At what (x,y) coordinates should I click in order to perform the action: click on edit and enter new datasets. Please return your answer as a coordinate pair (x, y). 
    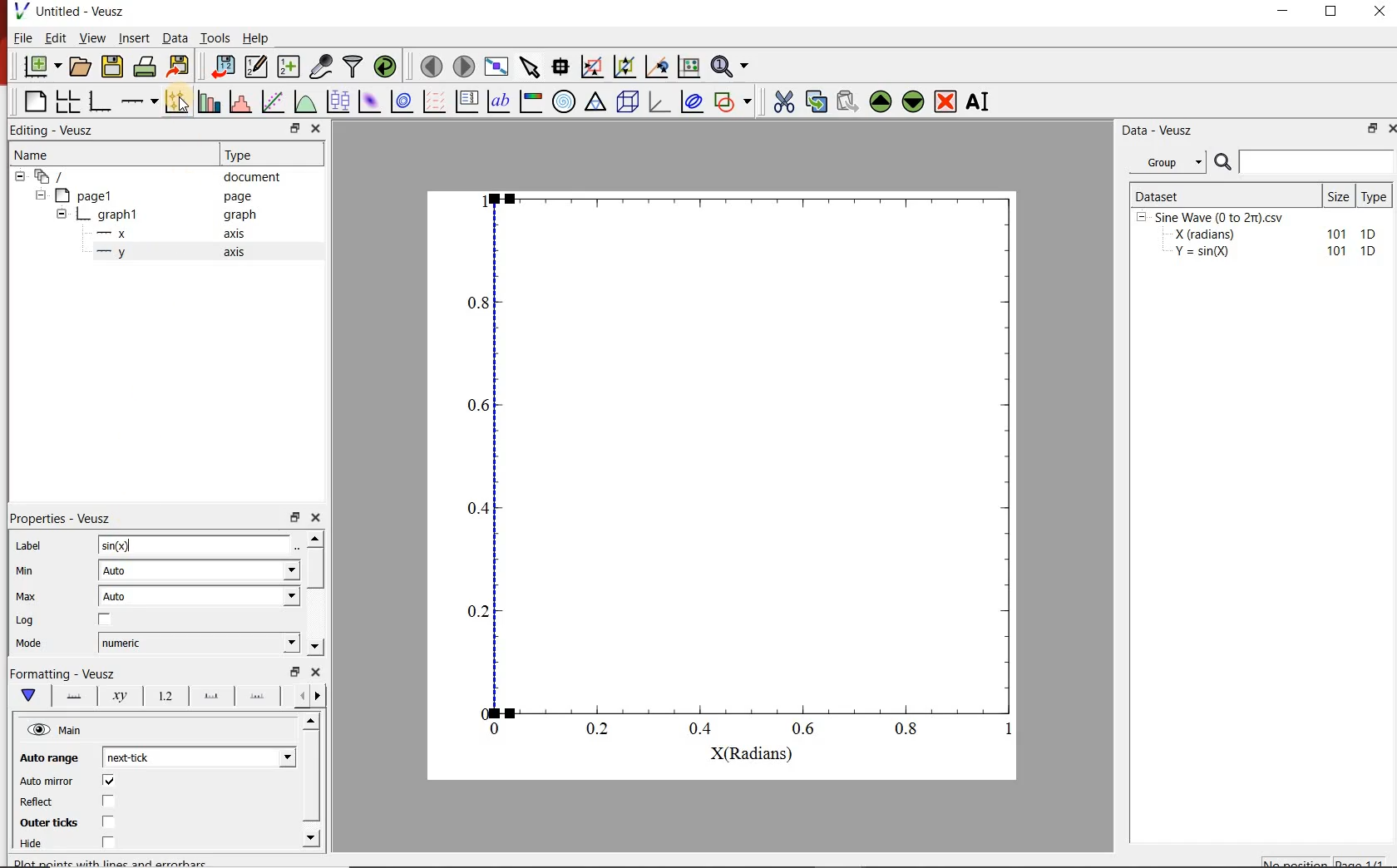
    Looking at the image, I should click on (257, 67).